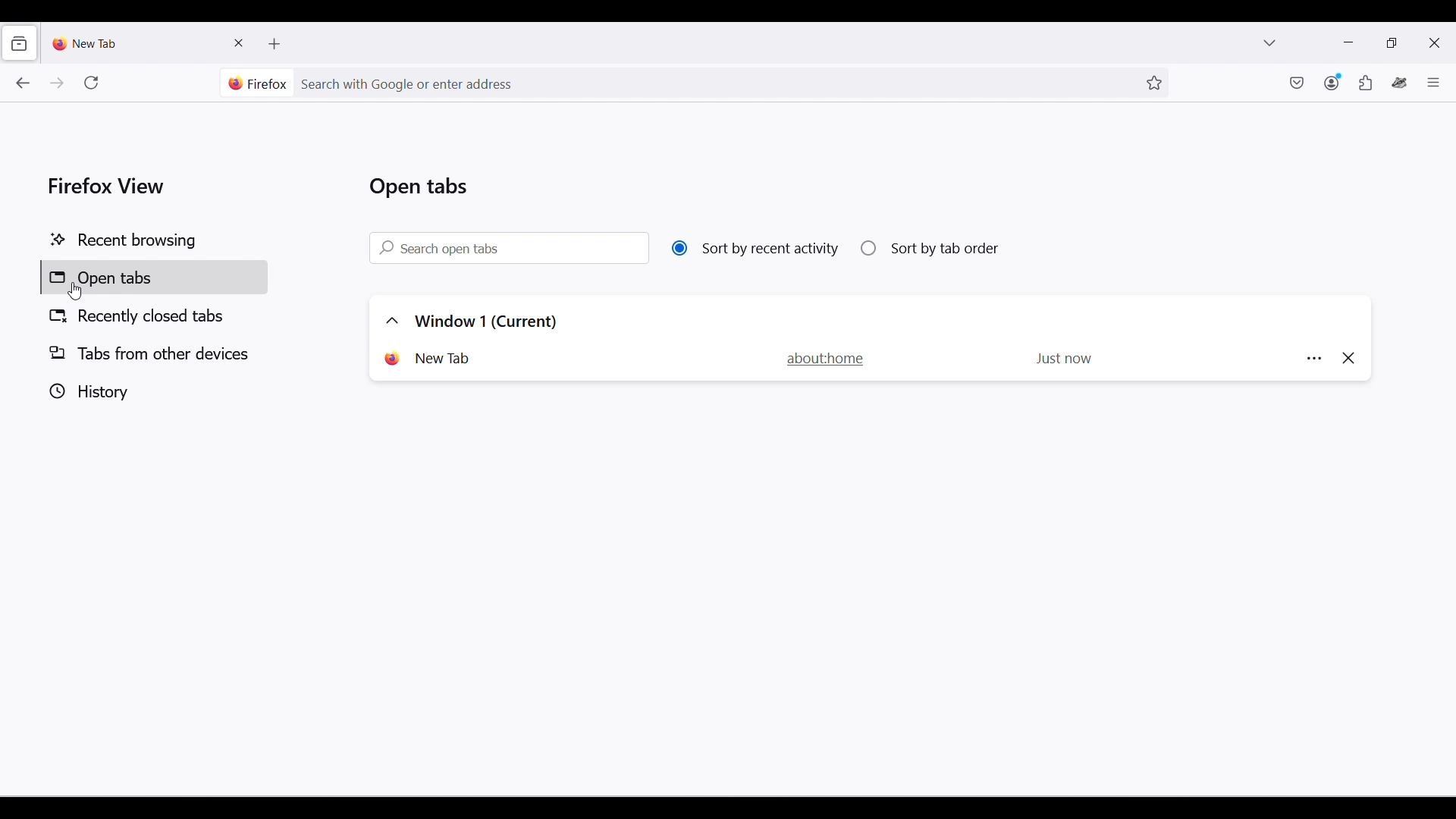 The width and height of the screenshot is (1456, 819). What do you see at coordinates (1366, 83) in the screenshot?
I see `Extensions` at bounding box center [1366, 83].